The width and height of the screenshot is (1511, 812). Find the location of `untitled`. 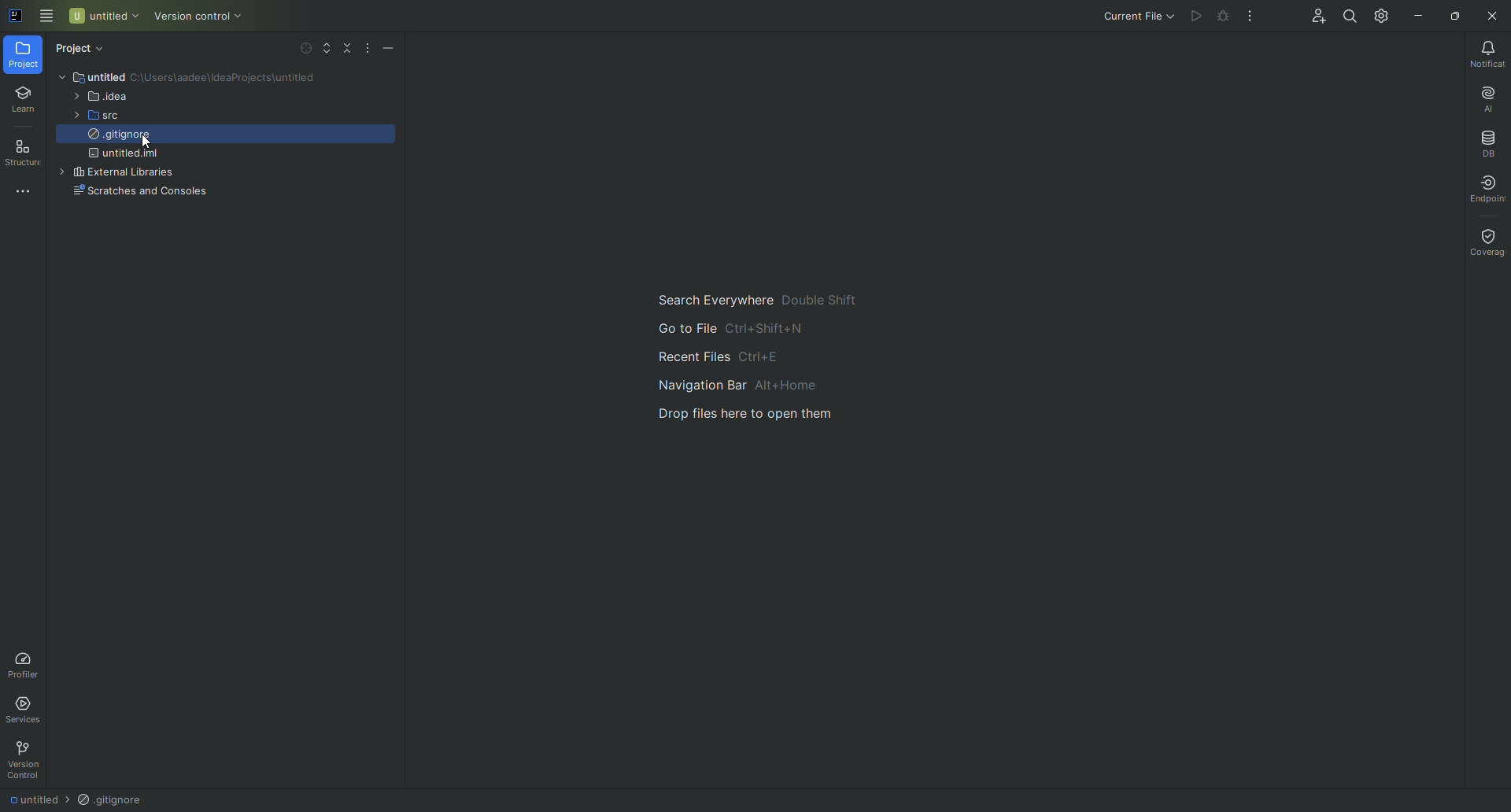

untitled is located at coordinates (120, 76).